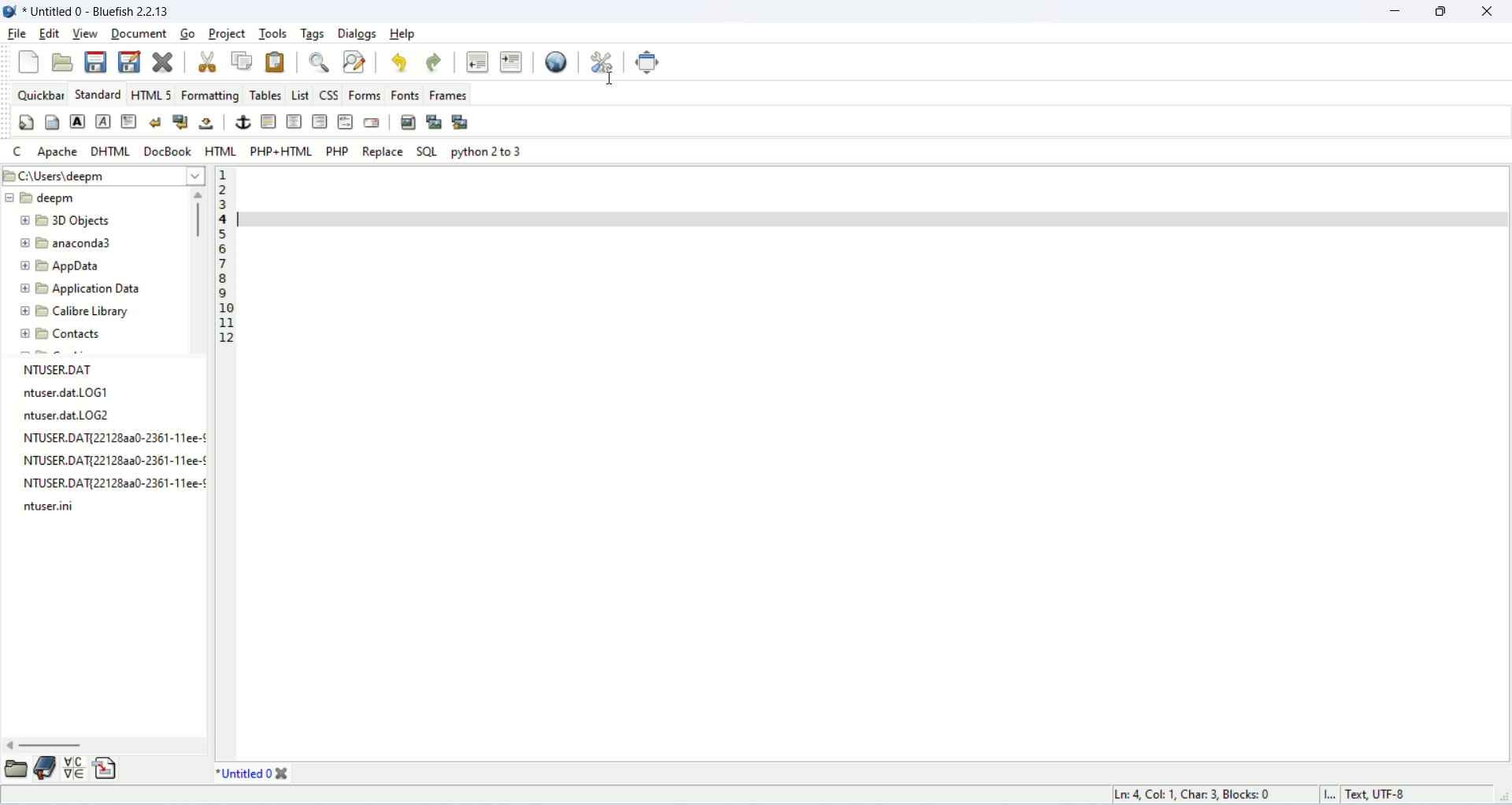 The height and width of the screenshot is (805, 1512). I want to click on edit, so click(50, 32).